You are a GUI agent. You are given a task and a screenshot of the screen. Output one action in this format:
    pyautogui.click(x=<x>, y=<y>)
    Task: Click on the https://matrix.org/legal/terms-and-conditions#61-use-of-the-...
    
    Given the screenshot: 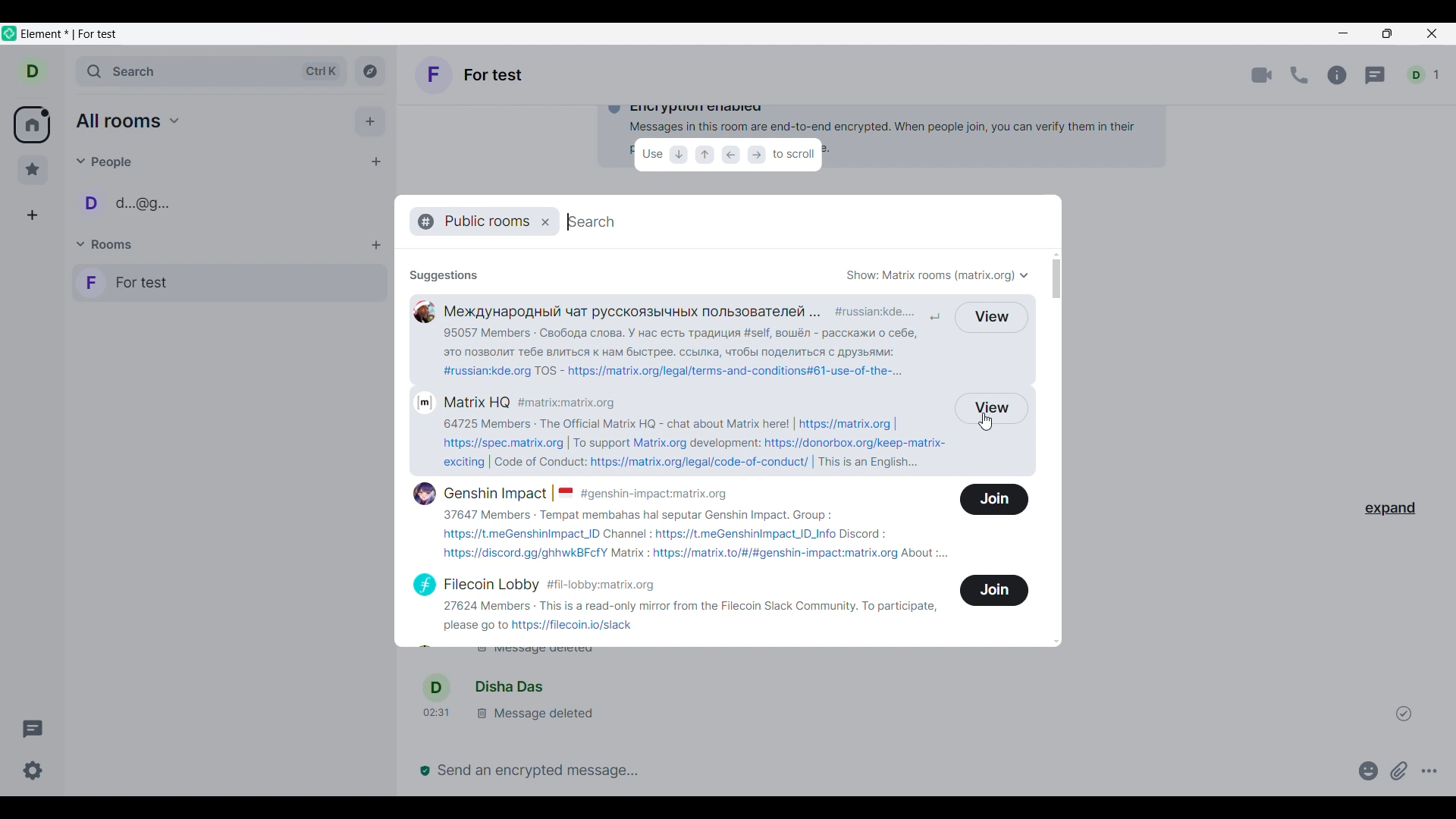 What is the action you would take?
    pyautogui.click(x=736, y=370)
    